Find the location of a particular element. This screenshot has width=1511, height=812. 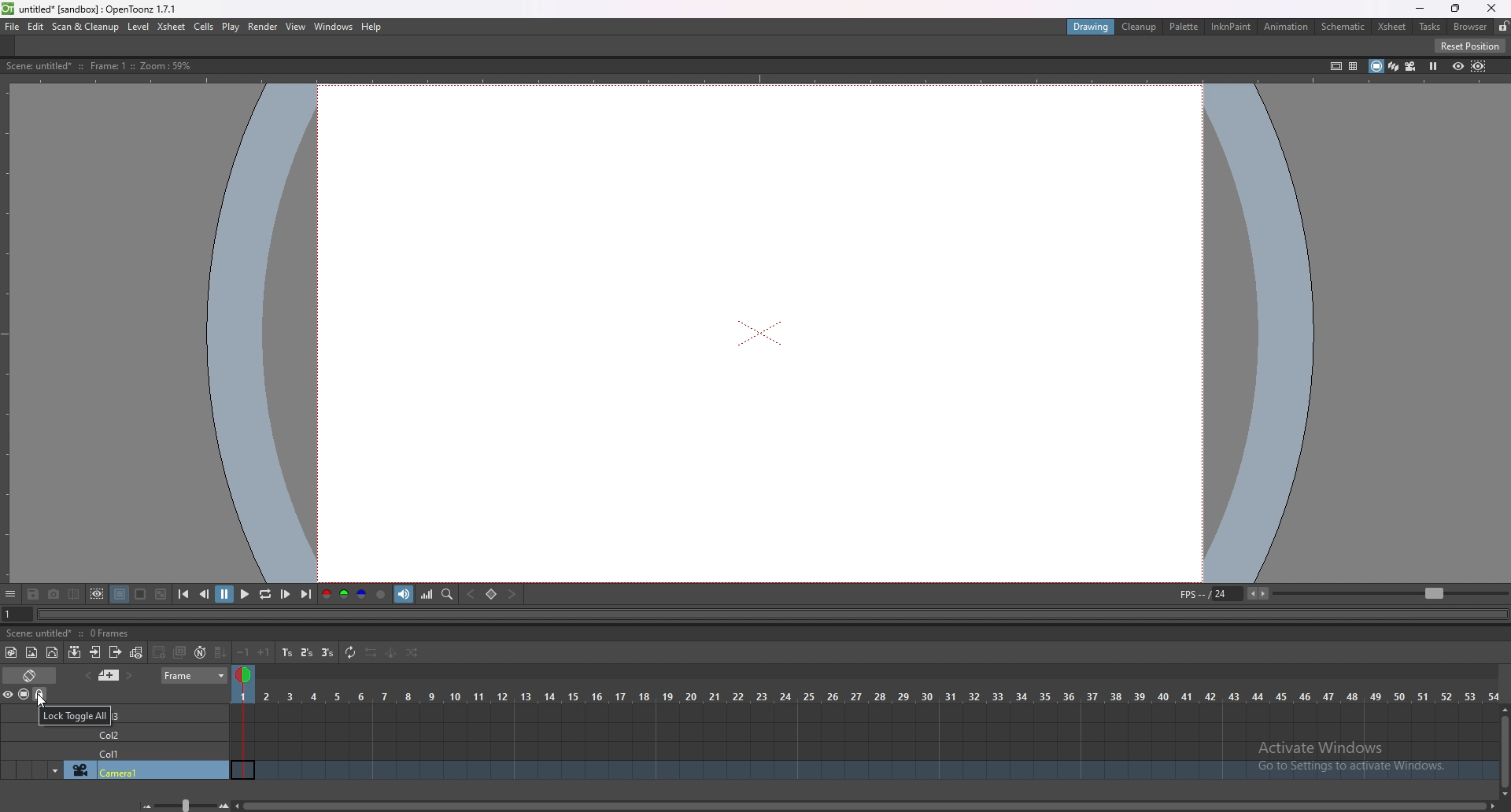

toggle edit in place is located at coordinates (139, 651).